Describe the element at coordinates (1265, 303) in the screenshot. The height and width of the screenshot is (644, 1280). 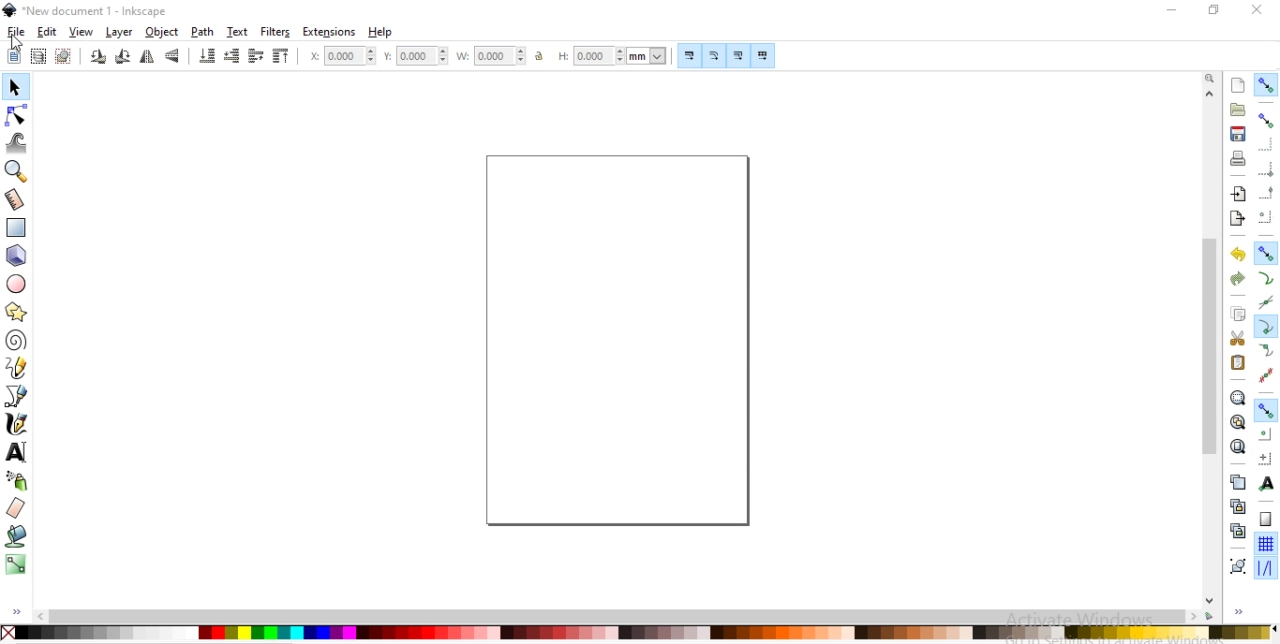
I see `snap to path intersections` at that location.